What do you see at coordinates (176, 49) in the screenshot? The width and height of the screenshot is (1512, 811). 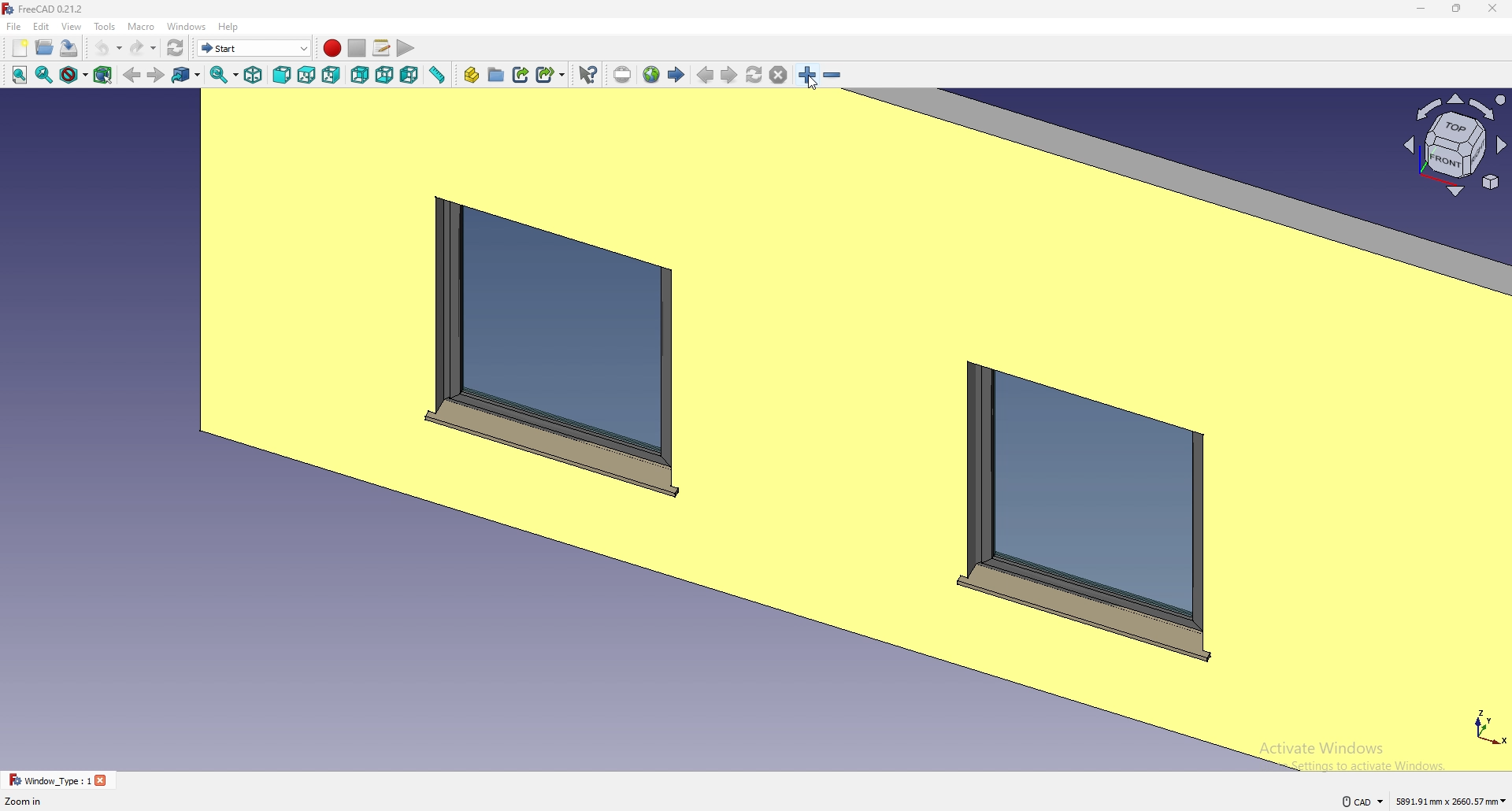 I see `refresh` at bounding box center [176, 49].